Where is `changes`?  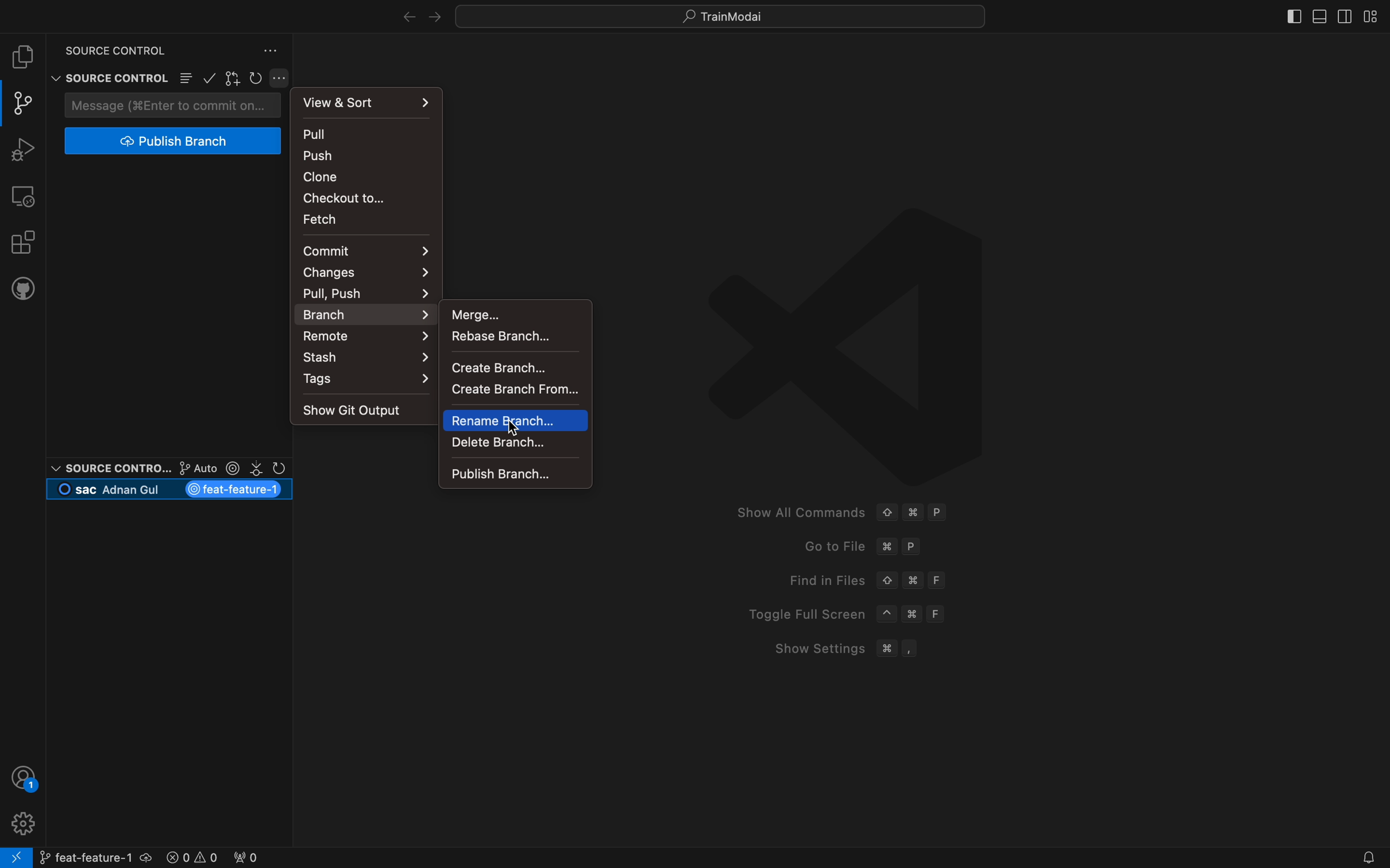 changes is located at coordinates (365, 272).